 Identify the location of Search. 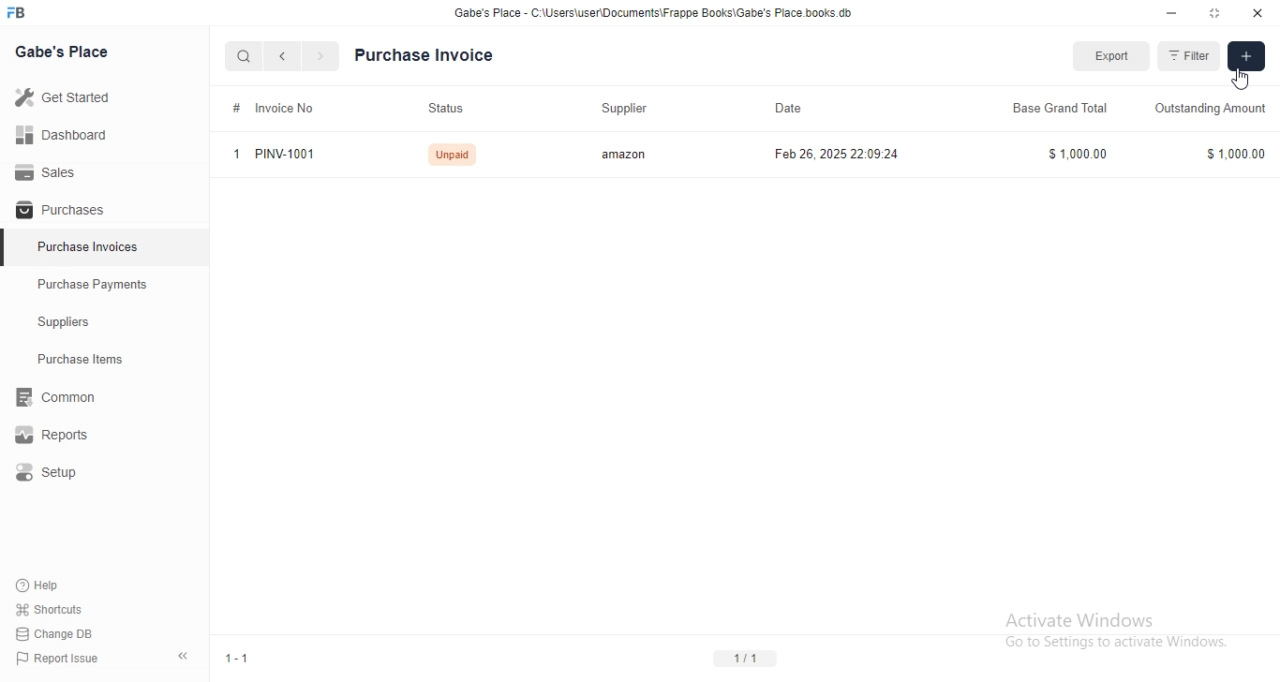
(243, 56).